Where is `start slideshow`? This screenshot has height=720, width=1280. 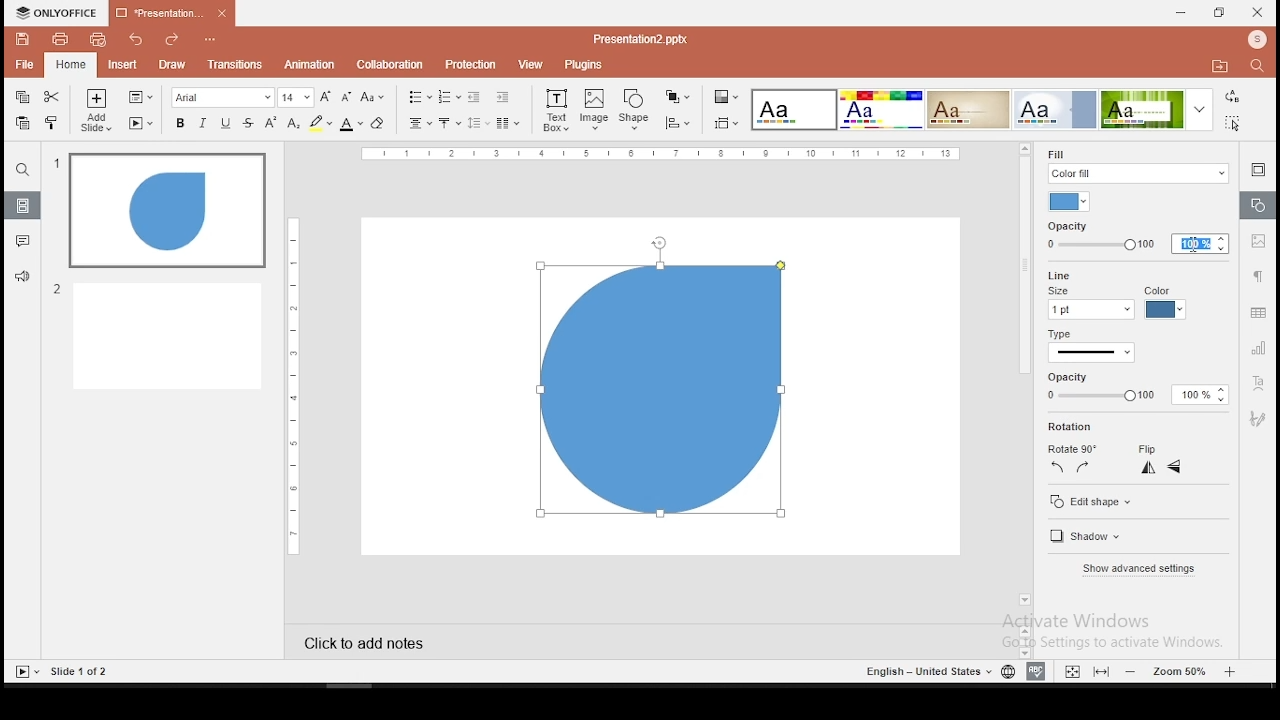 start slideshow is located at coordinates (27, 672).